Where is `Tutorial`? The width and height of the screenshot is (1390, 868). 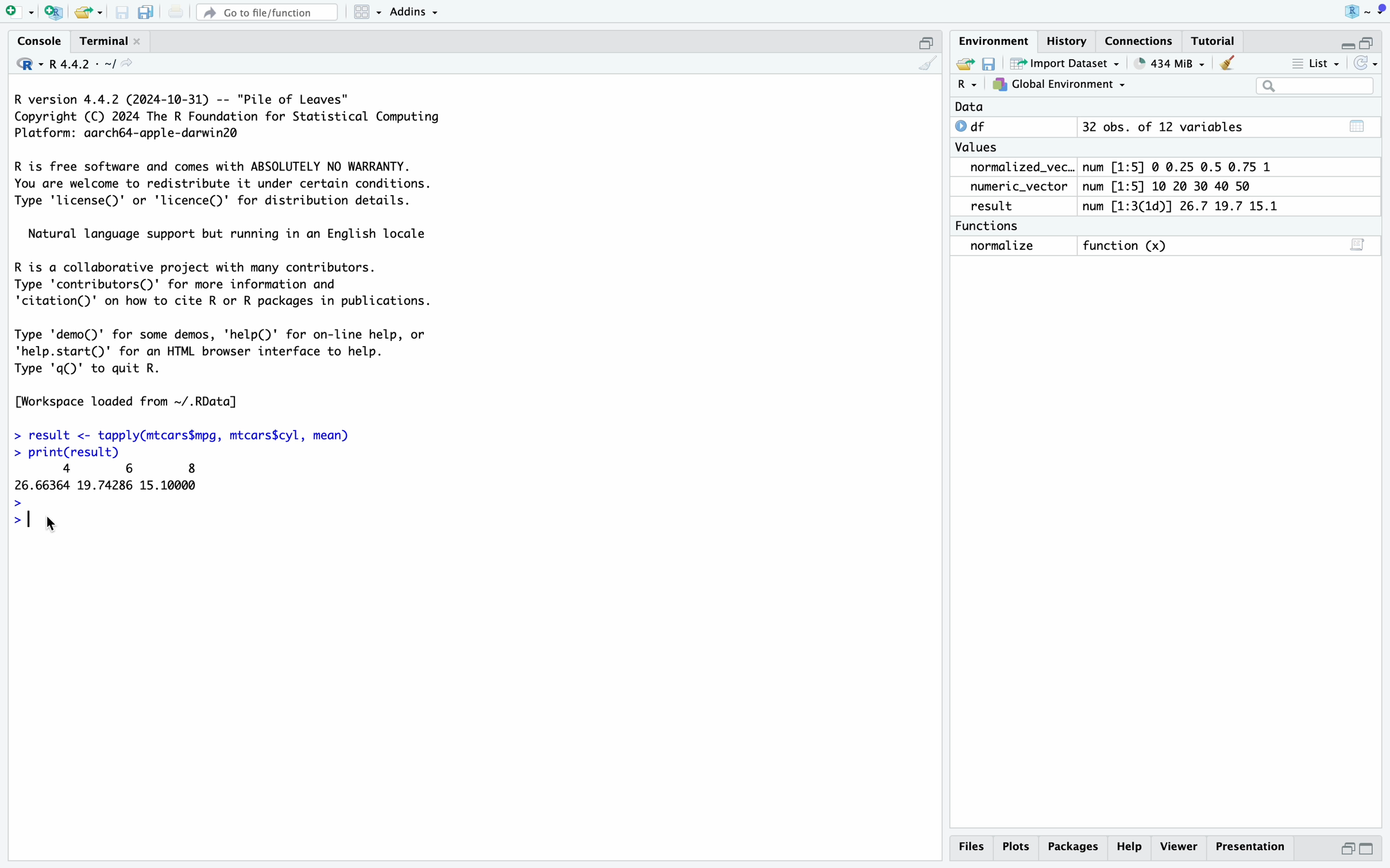 Tutorial is located at coordinates (1213, 41).